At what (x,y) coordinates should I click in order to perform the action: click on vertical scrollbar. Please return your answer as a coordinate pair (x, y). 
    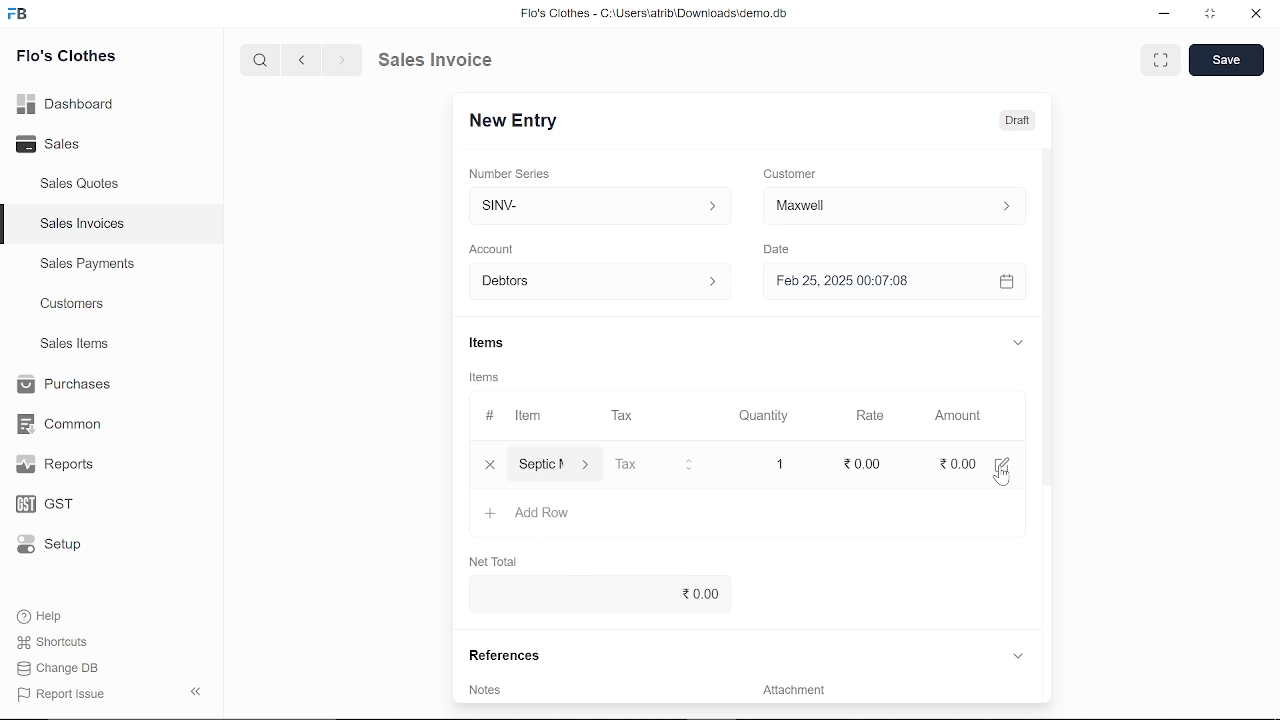
    Looking at the image, I should click on (1050, 325).